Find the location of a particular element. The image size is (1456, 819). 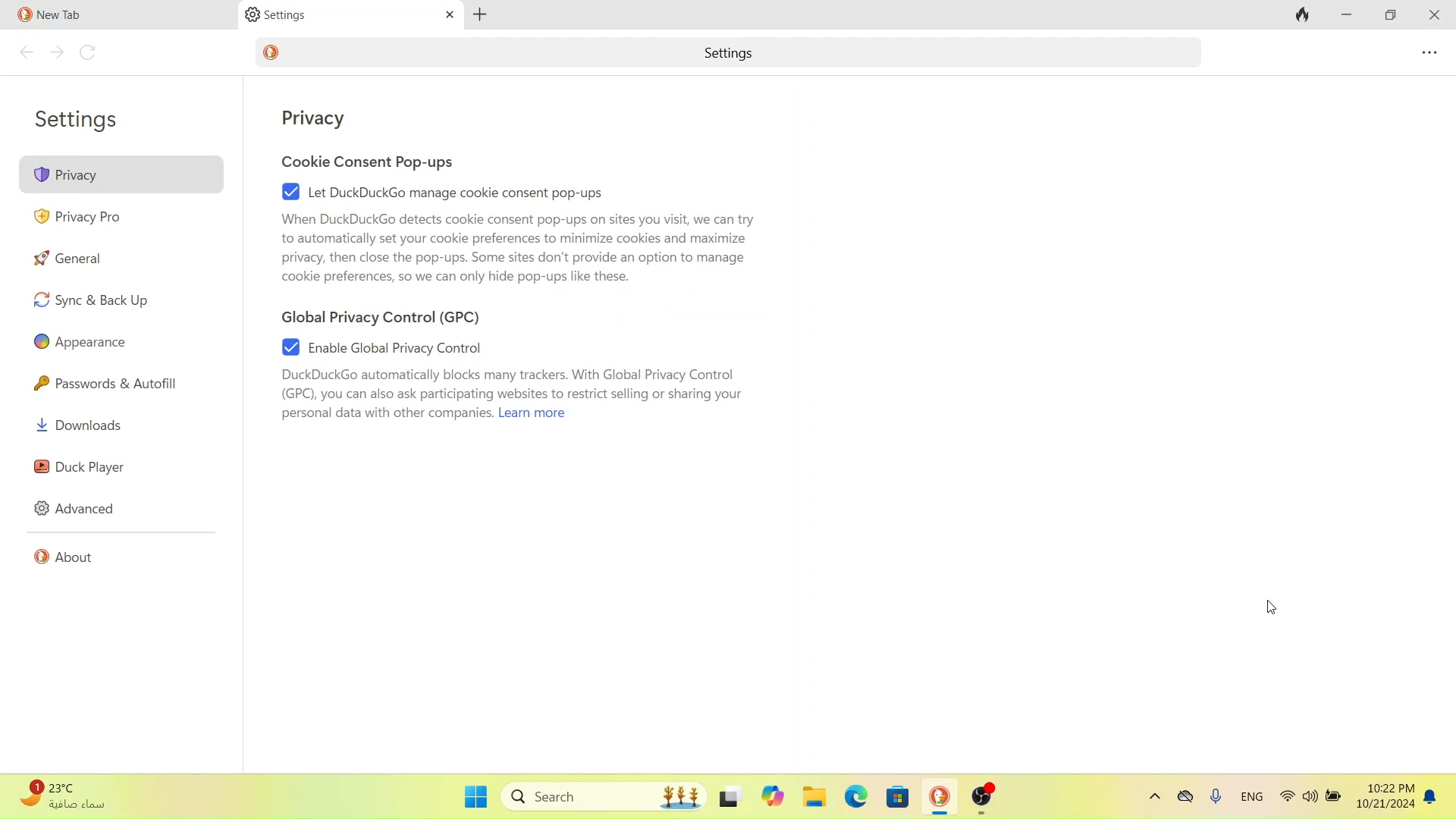

sync & back up is located at coordinates (96, 298).